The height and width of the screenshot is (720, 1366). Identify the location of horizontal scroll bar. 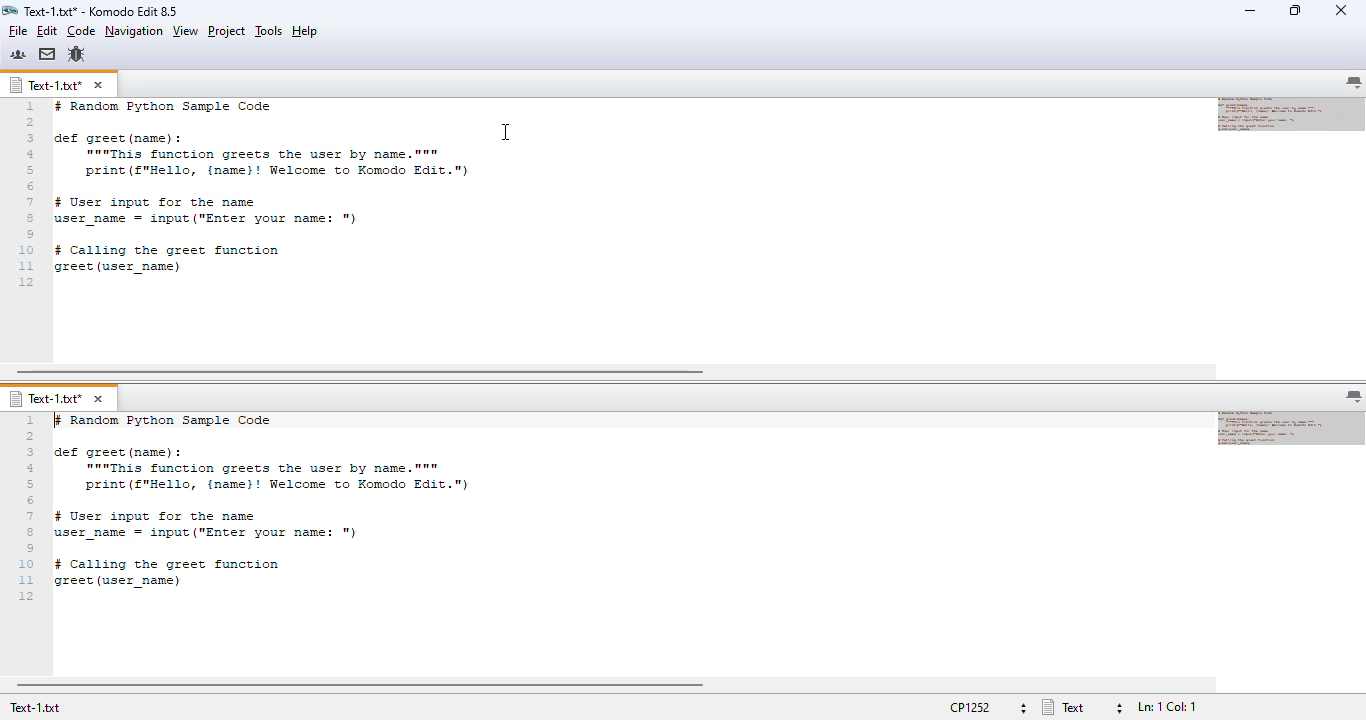
(361, 372).